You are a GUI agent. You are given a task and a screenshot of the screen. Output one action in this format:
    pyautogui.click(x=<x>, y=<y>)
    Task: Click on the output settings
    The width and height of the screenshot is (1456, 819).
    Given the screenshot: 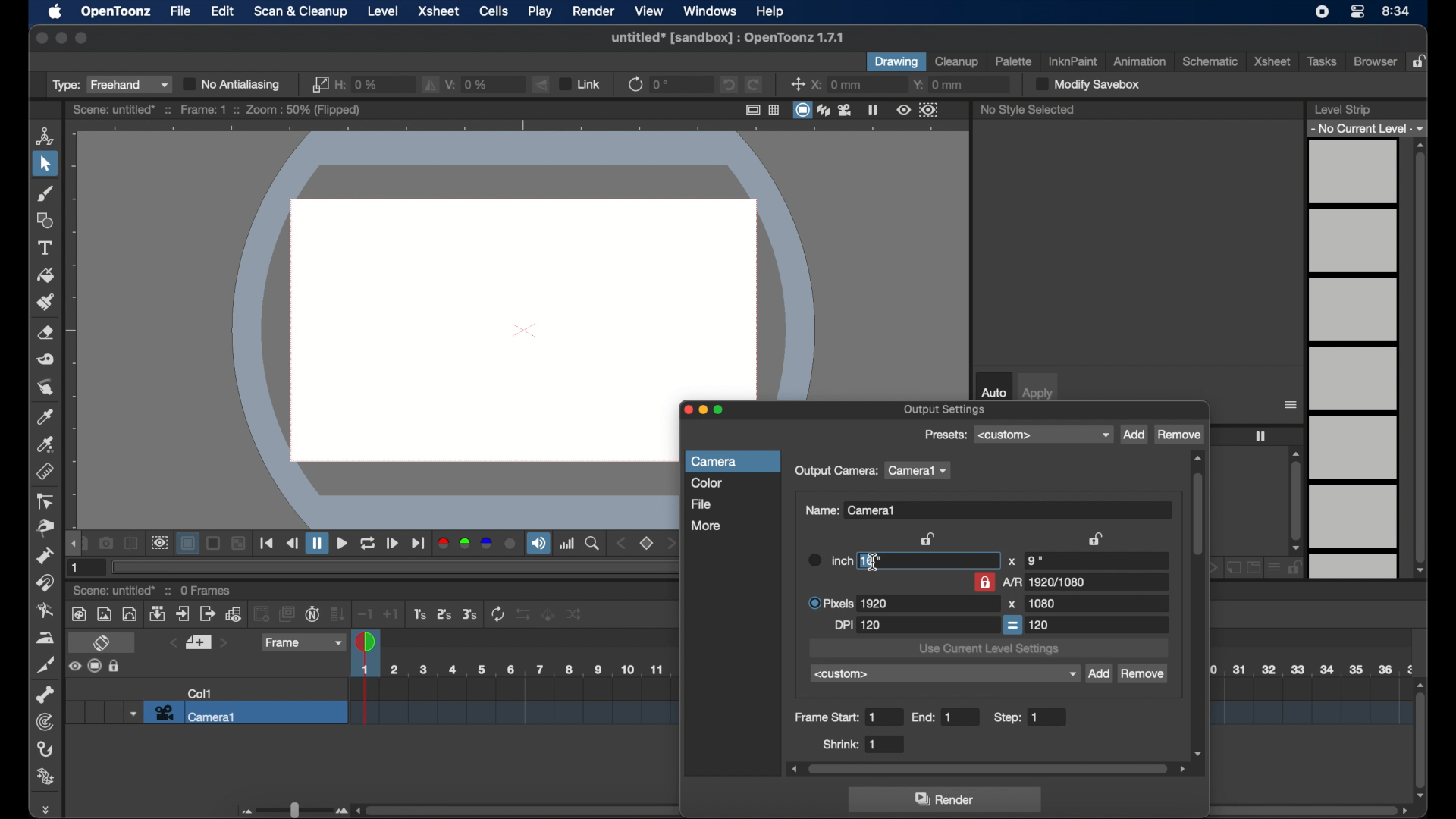 What is the action you would take?
    pyautogui.click(x=946, y=410)
    